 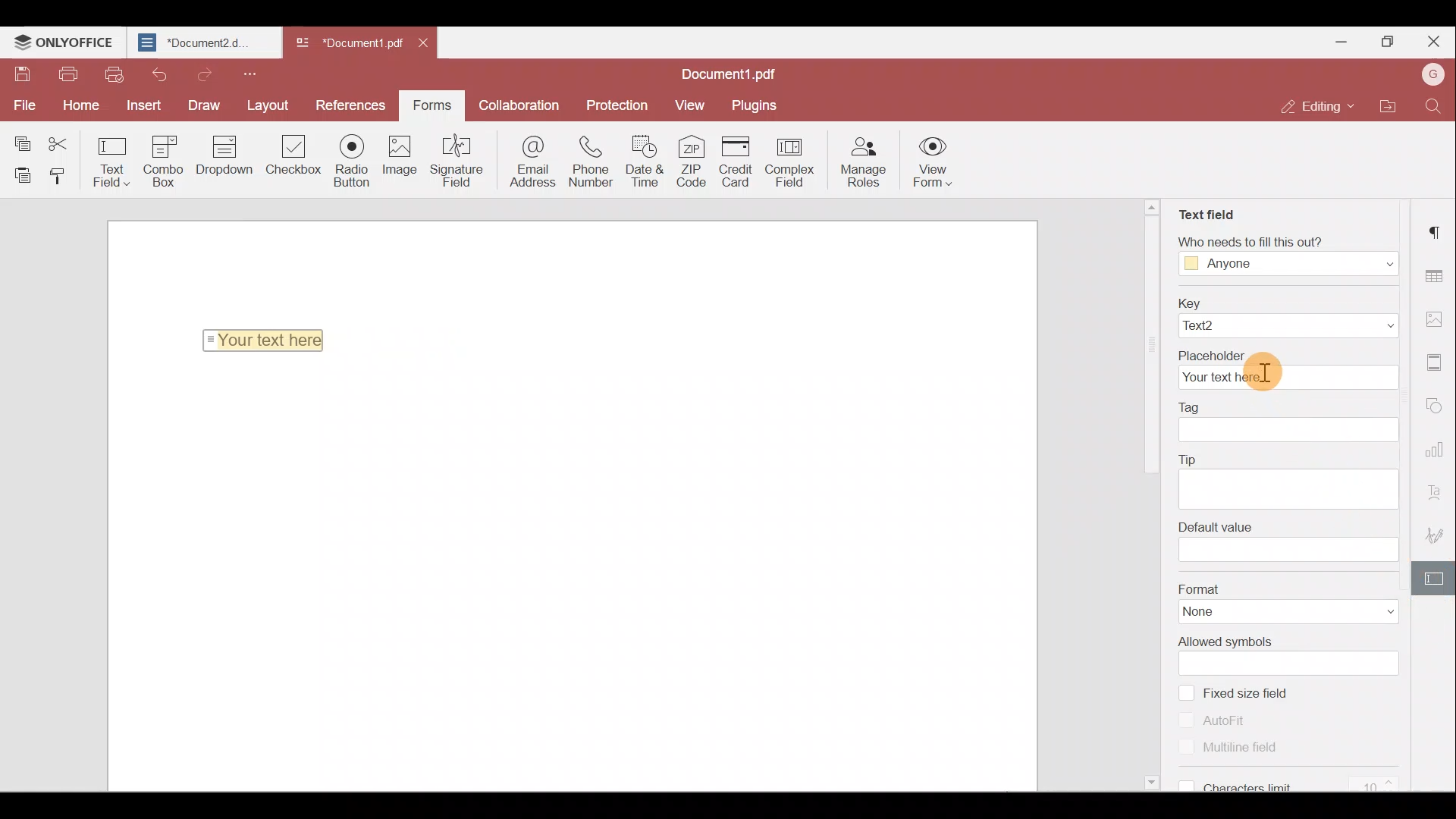 I want to click on Combo box, so click(x=169, y=159).